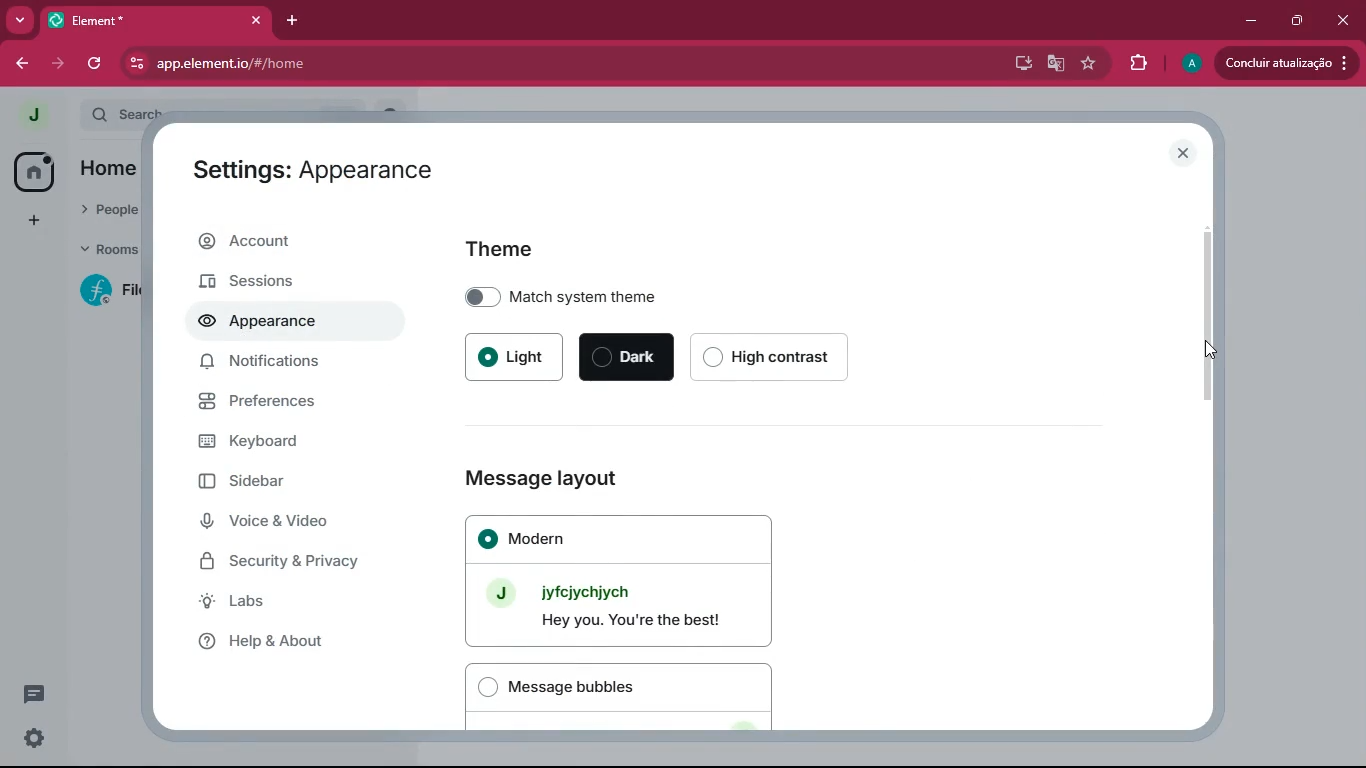 The width and height of the screenshot is (1366, 768). Describe the element at coordinates (97, 66) in the screenshot. I see `refresh` at that location.